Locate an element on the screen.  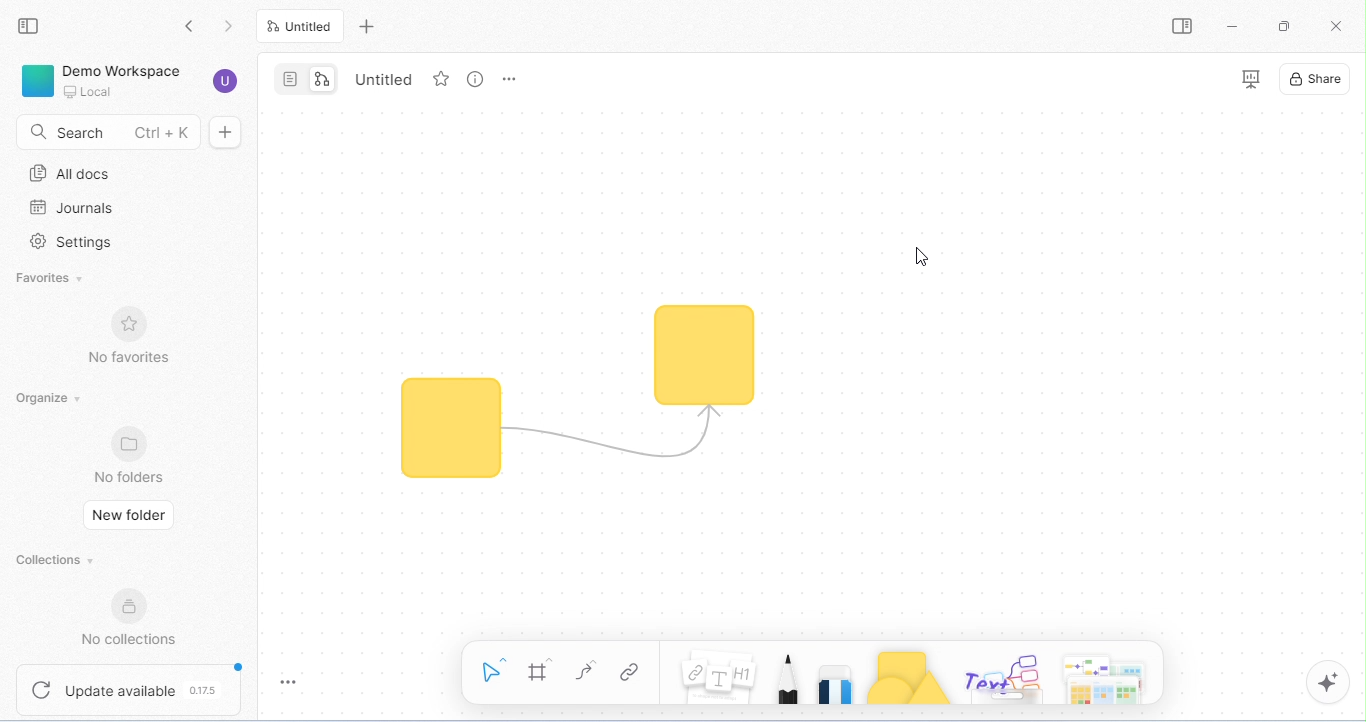
pencil is located at coordinates (788, 676).